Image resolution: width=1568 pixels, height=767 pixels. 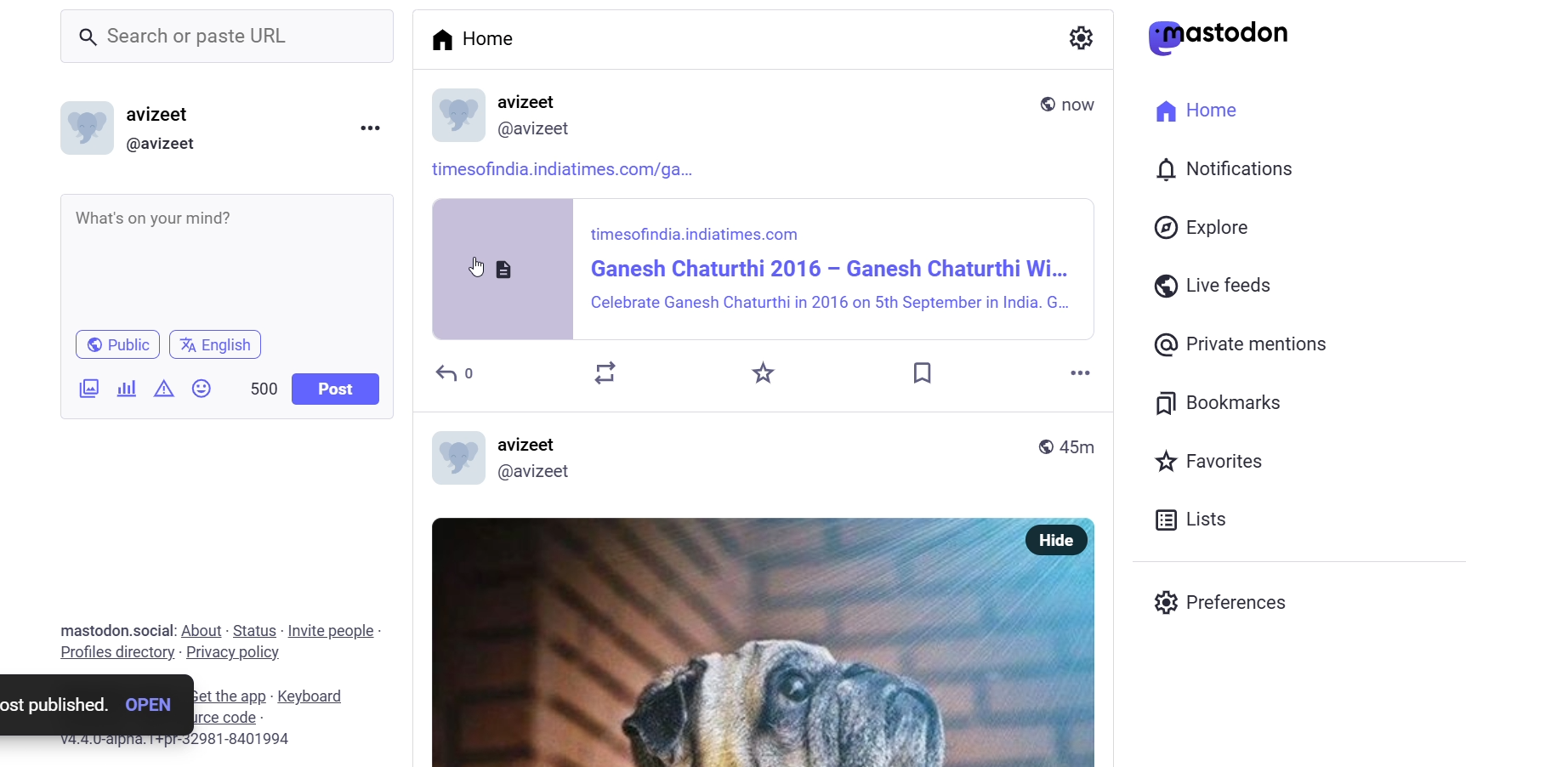 I want to click on Lists, so click(x=1197, y=523).